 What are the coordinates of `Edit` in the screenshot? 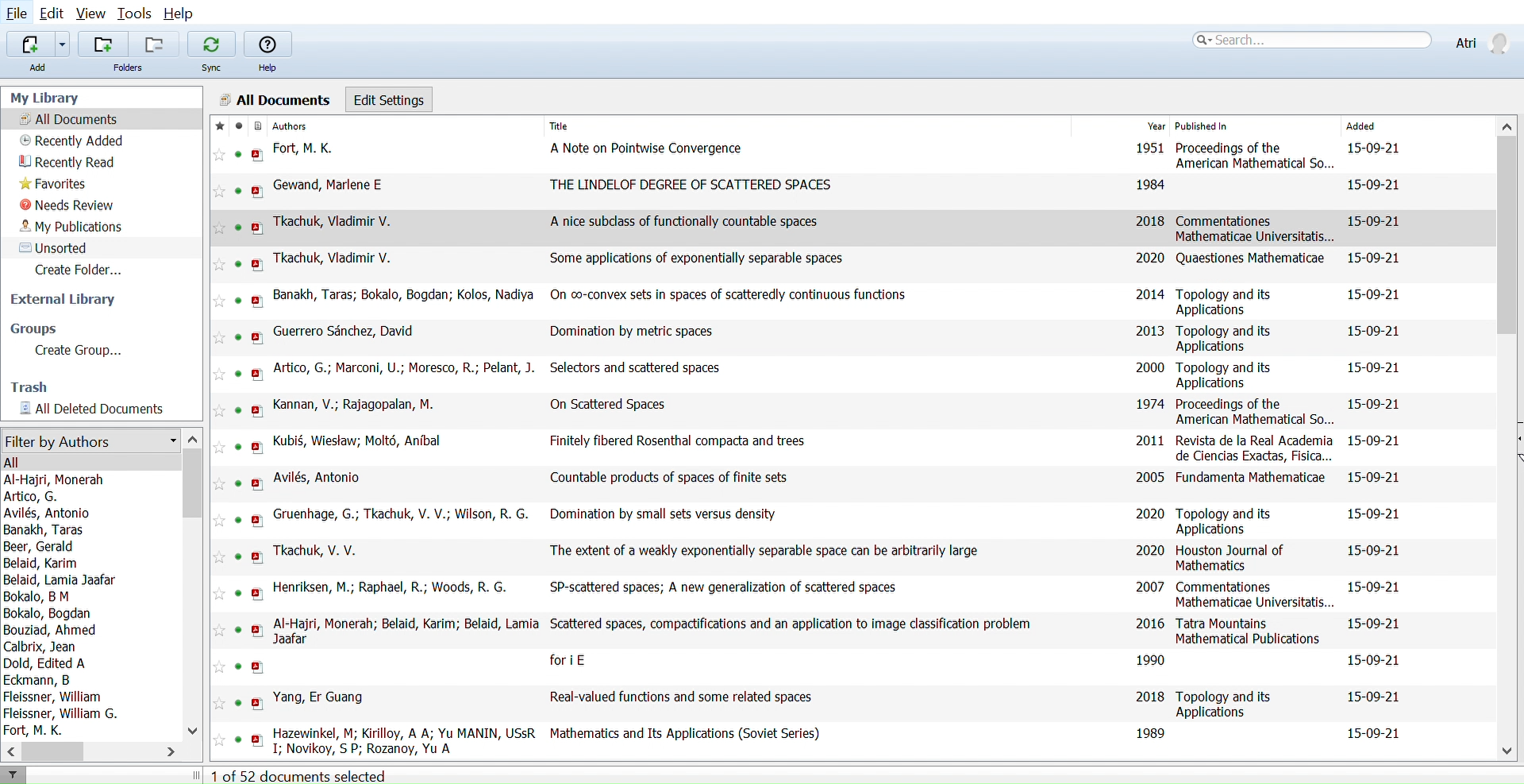 It's located at (55, 14).